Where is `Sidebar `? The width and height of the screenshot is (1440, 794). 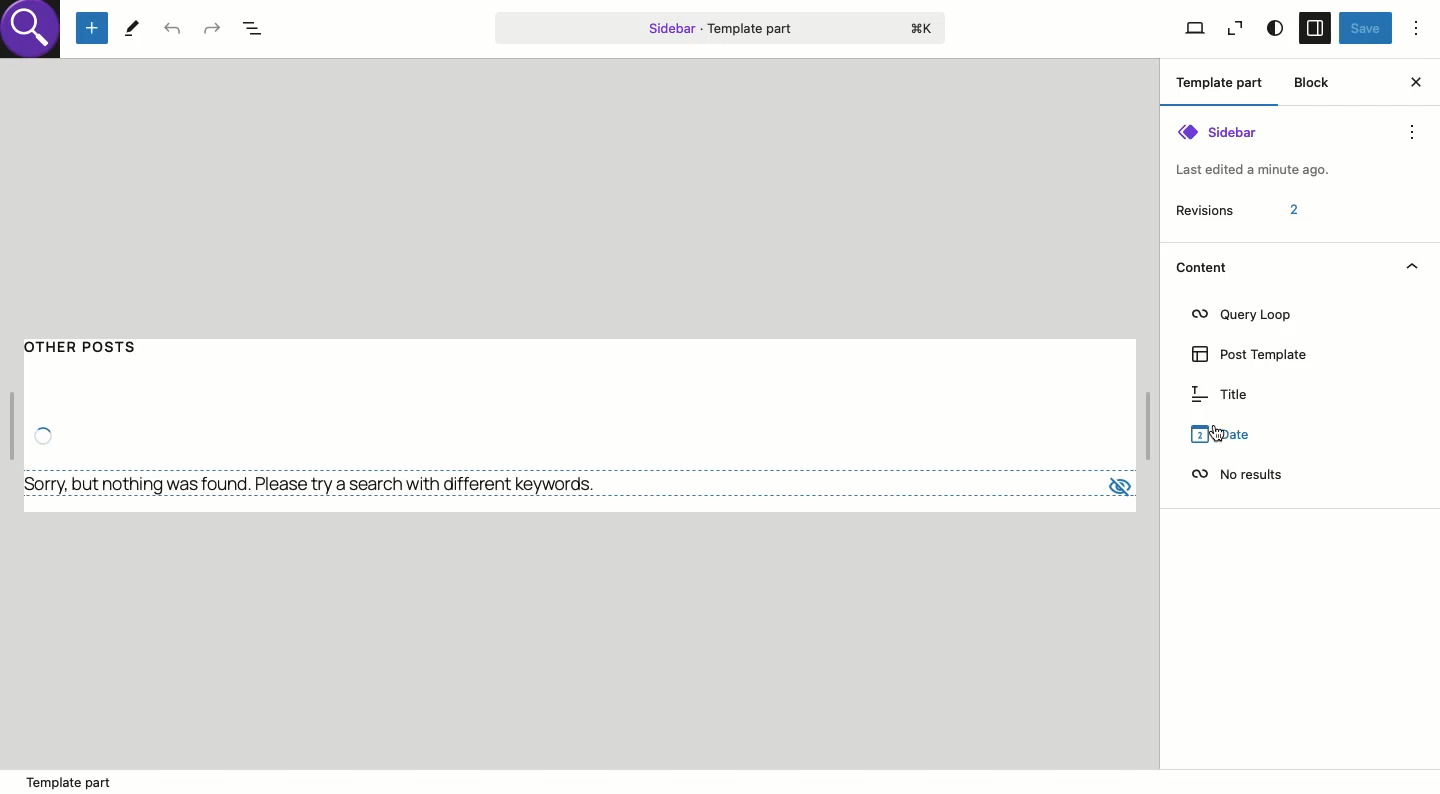
Sidebar  is located at coordinates (1314, 29).